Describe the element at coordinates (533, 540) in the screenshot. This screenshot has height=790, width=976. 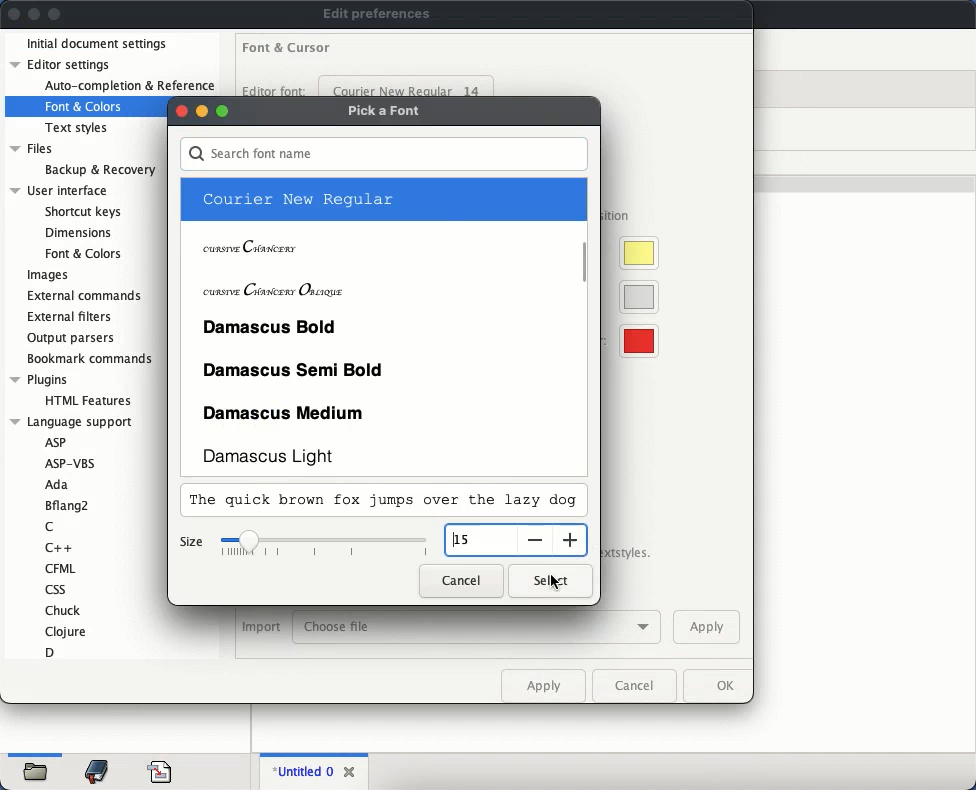
I see `decrease` at that location.